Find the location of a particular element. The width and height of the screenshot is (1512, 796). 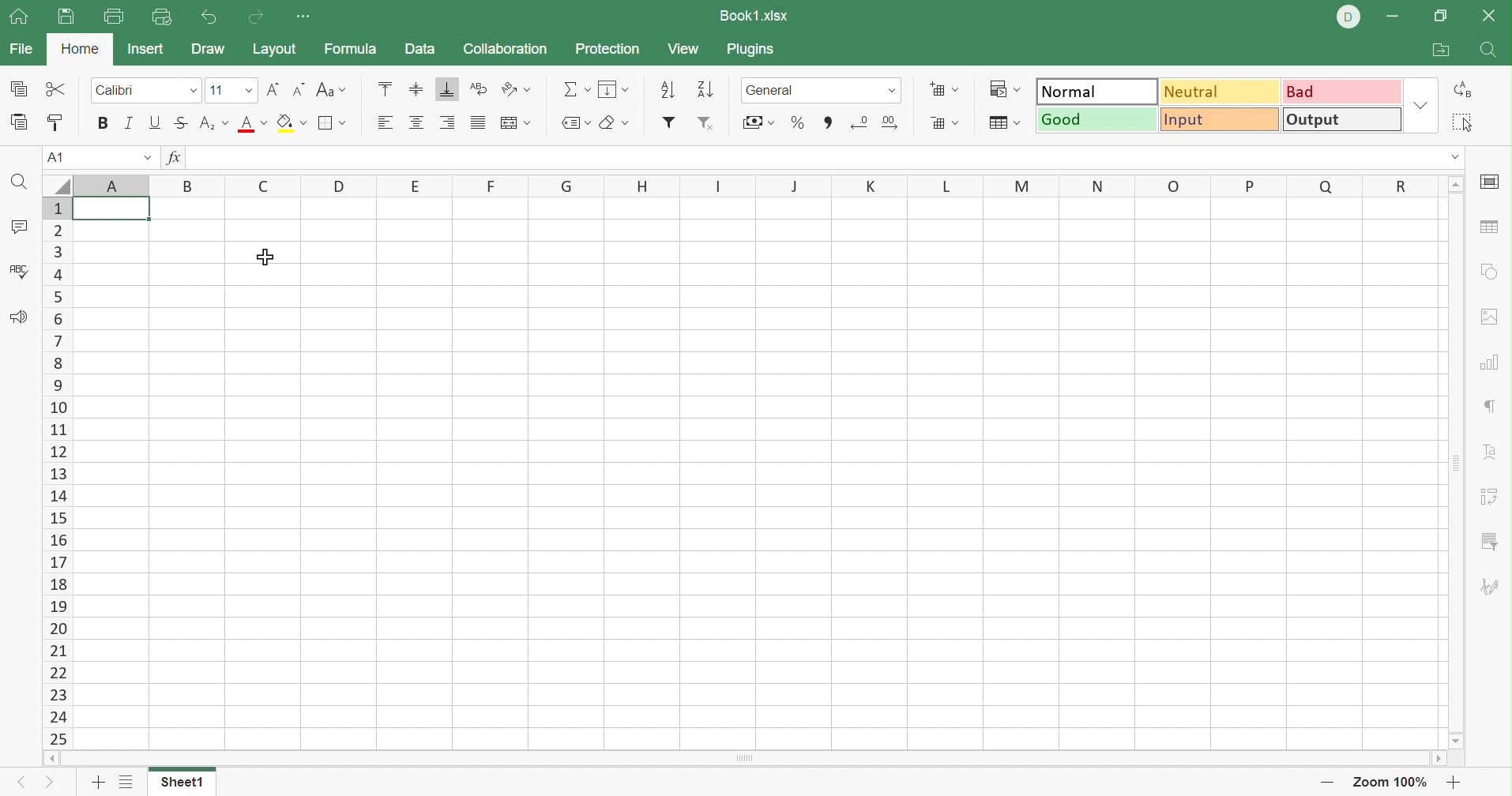

Neutral is located at coordinates (1221, 92).